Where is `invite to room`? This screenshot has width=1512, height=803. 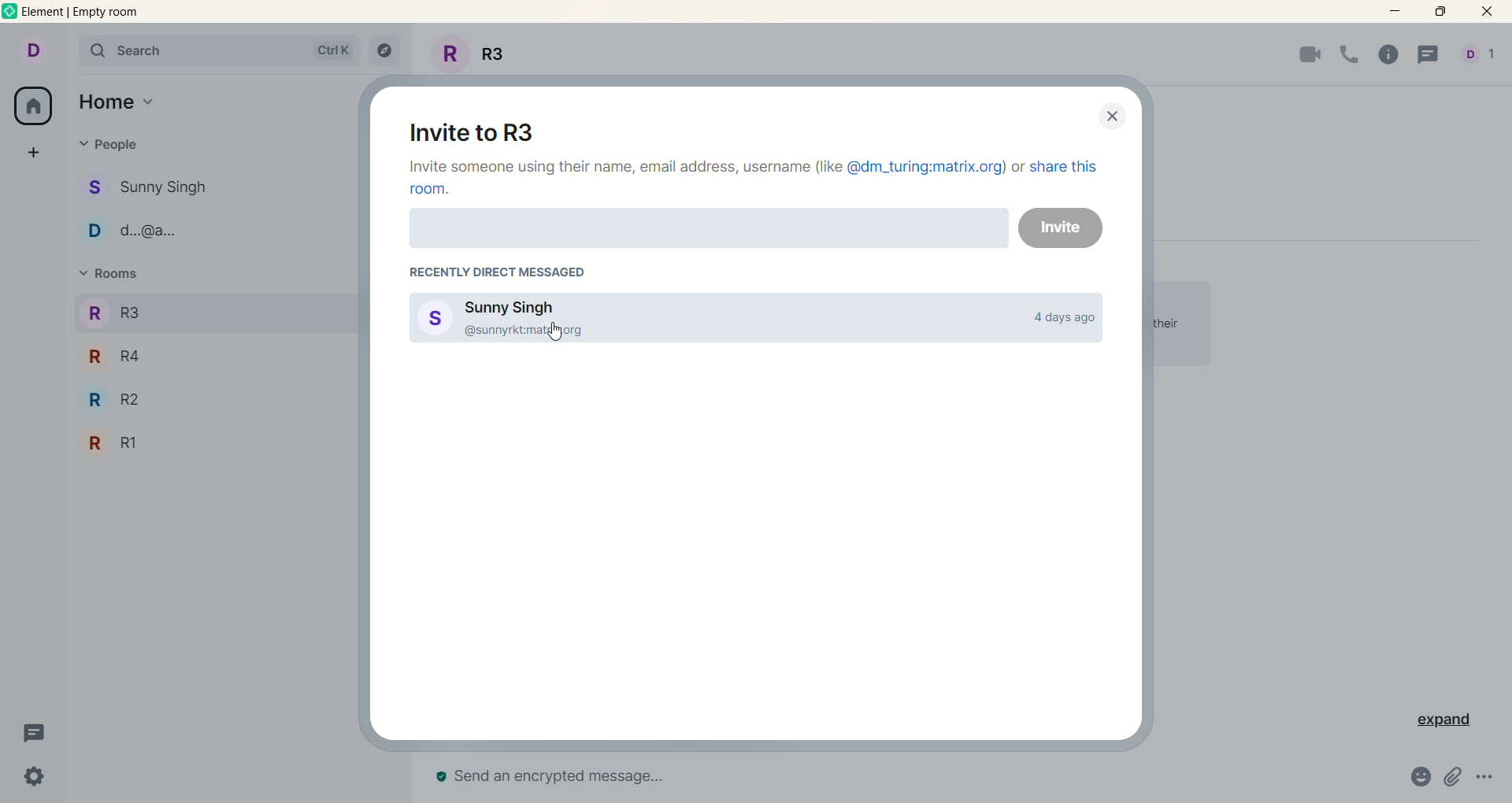 invite to room is located at coordinates (467, 128).